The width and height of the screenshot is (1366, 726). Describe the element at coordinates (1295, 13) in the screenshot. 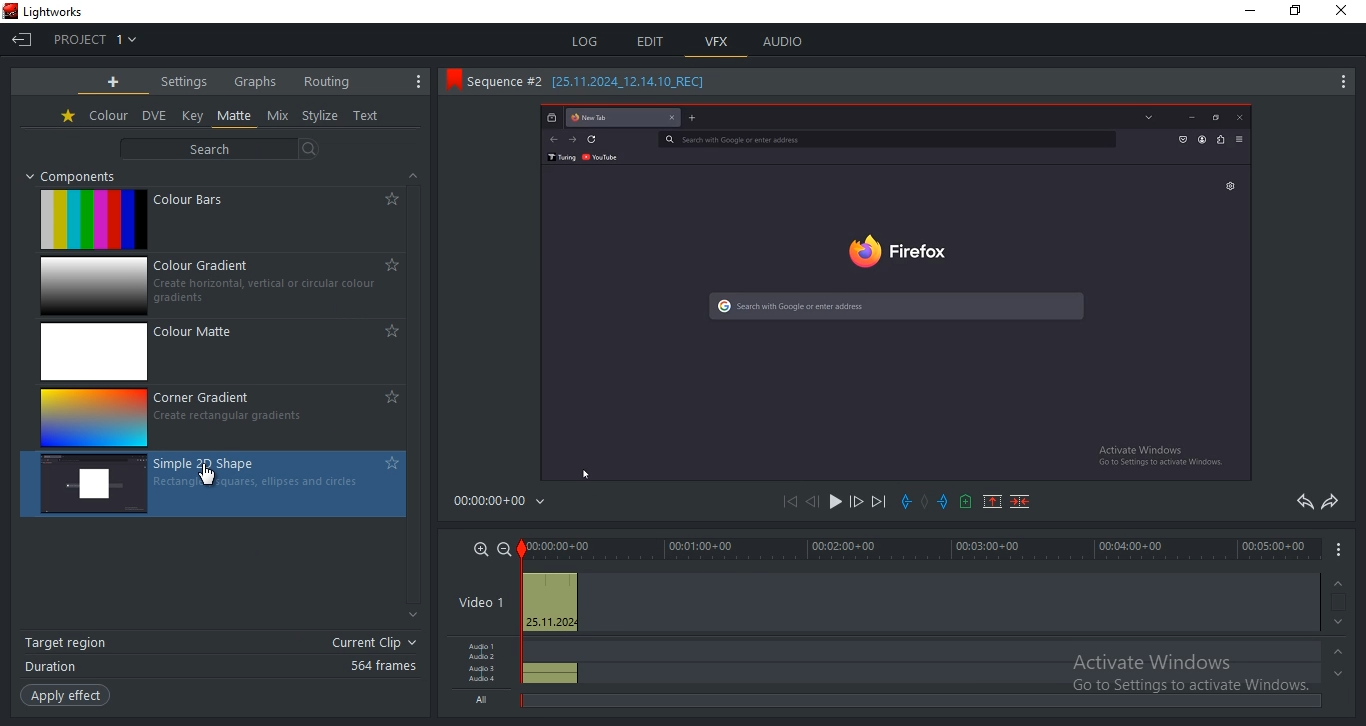

I see `maximize` at that location.